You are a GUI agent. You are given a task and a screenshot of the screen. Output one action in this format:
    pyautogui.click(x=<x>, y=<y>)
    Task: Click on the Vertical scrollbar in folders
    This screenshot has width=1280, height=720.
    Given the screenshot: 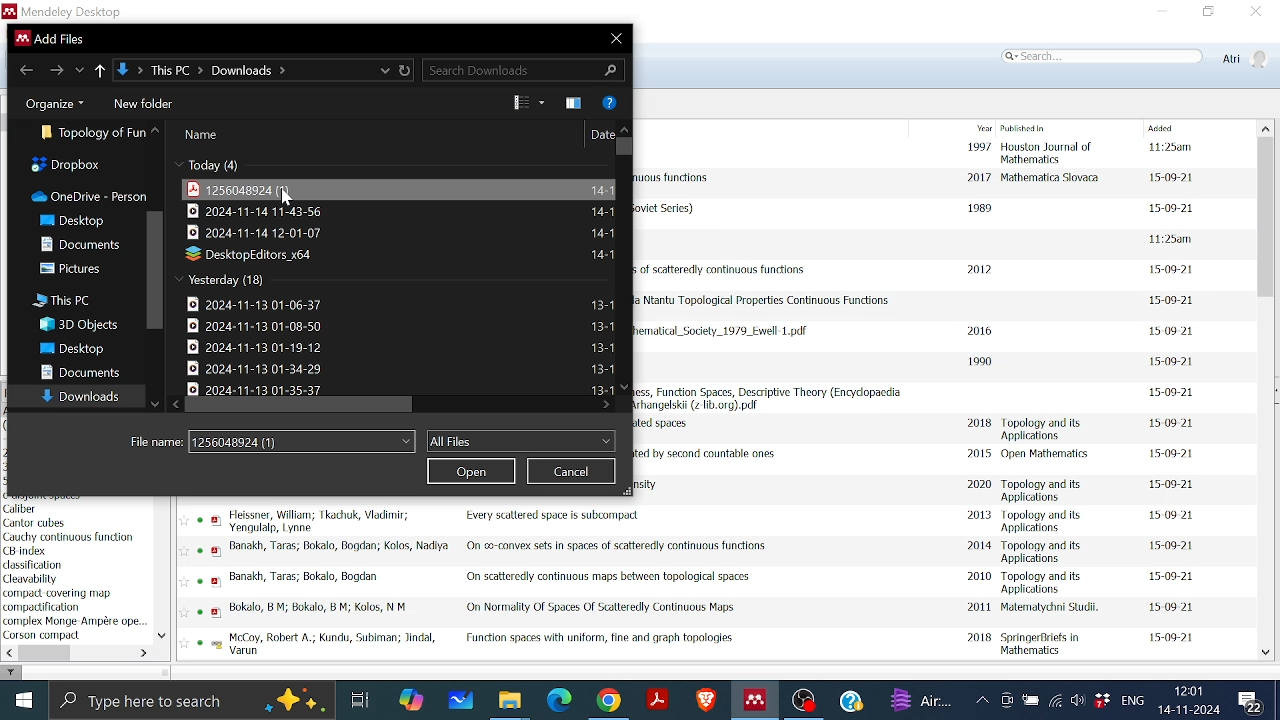 What is the action you would take?
    pyautogui.click(x=158, y=272)
    